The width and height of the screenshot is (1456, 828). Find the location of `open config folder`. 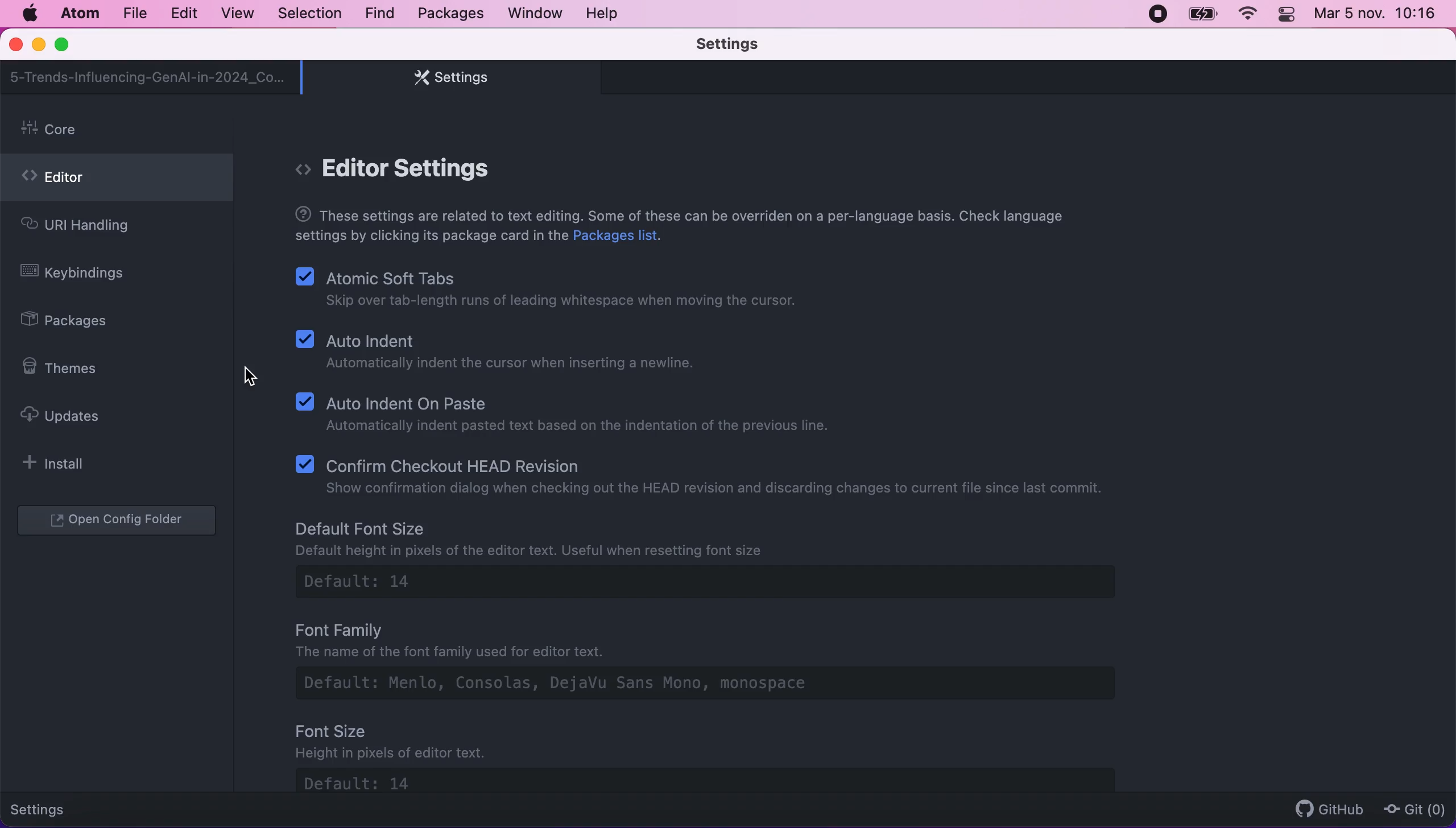

open config folder is located at coordinates (119, 521).